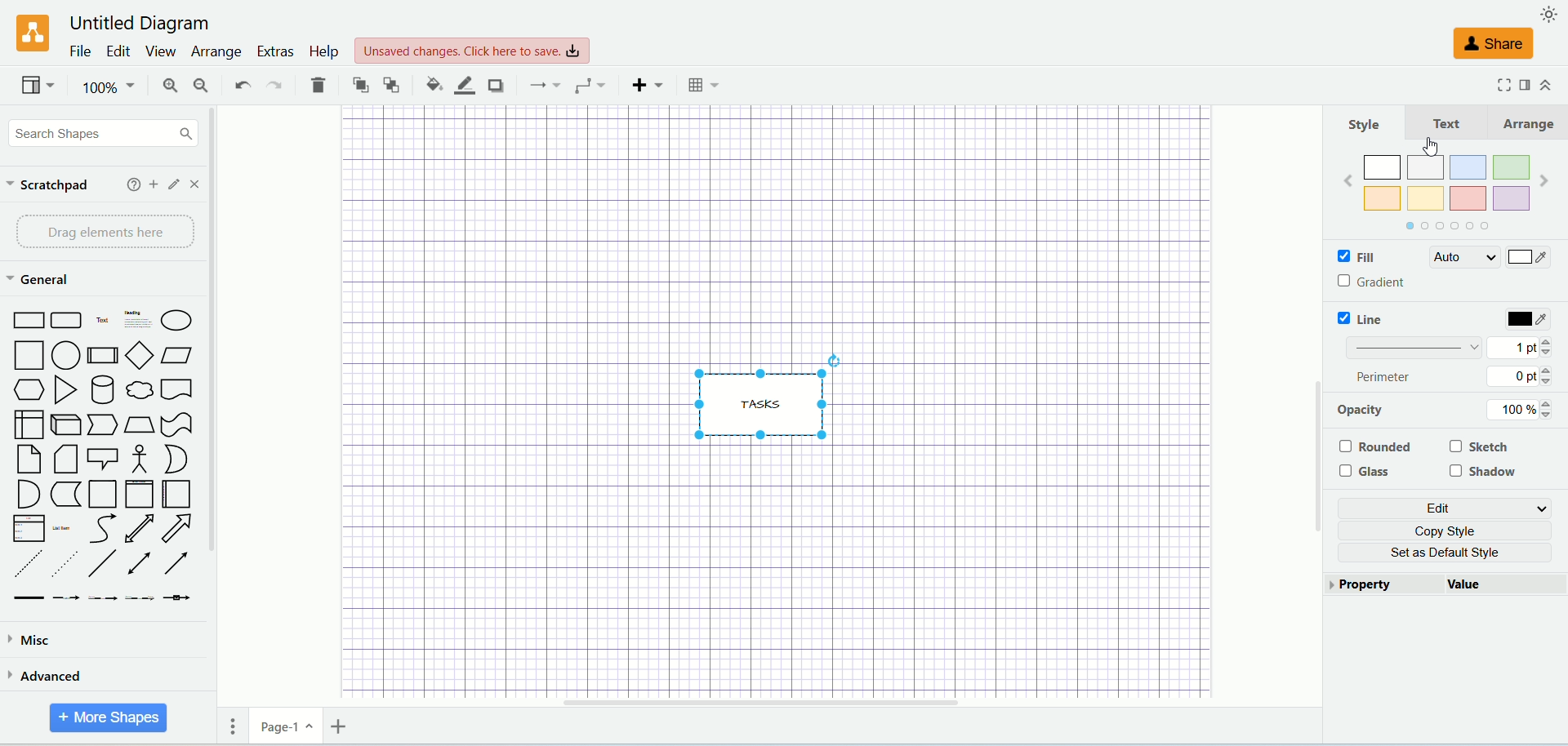 This screenshot has height=746, width=1568. Describe the element at coordinates (274, 51) in the screenshot. I see `extras` at that location.